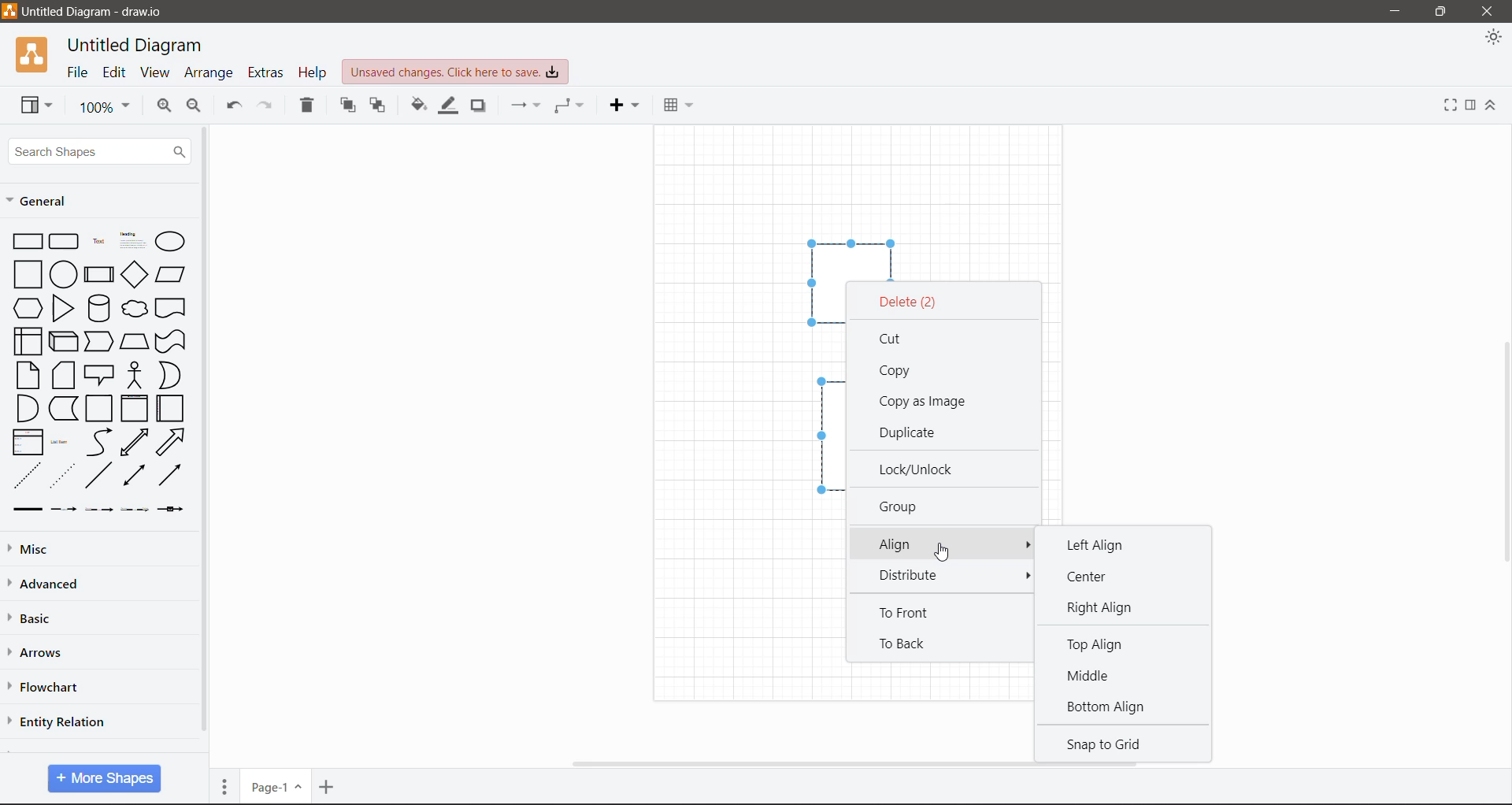 This screenshot has height=805, width=1512. I want to click on Entity Relation, so click(57, 721).